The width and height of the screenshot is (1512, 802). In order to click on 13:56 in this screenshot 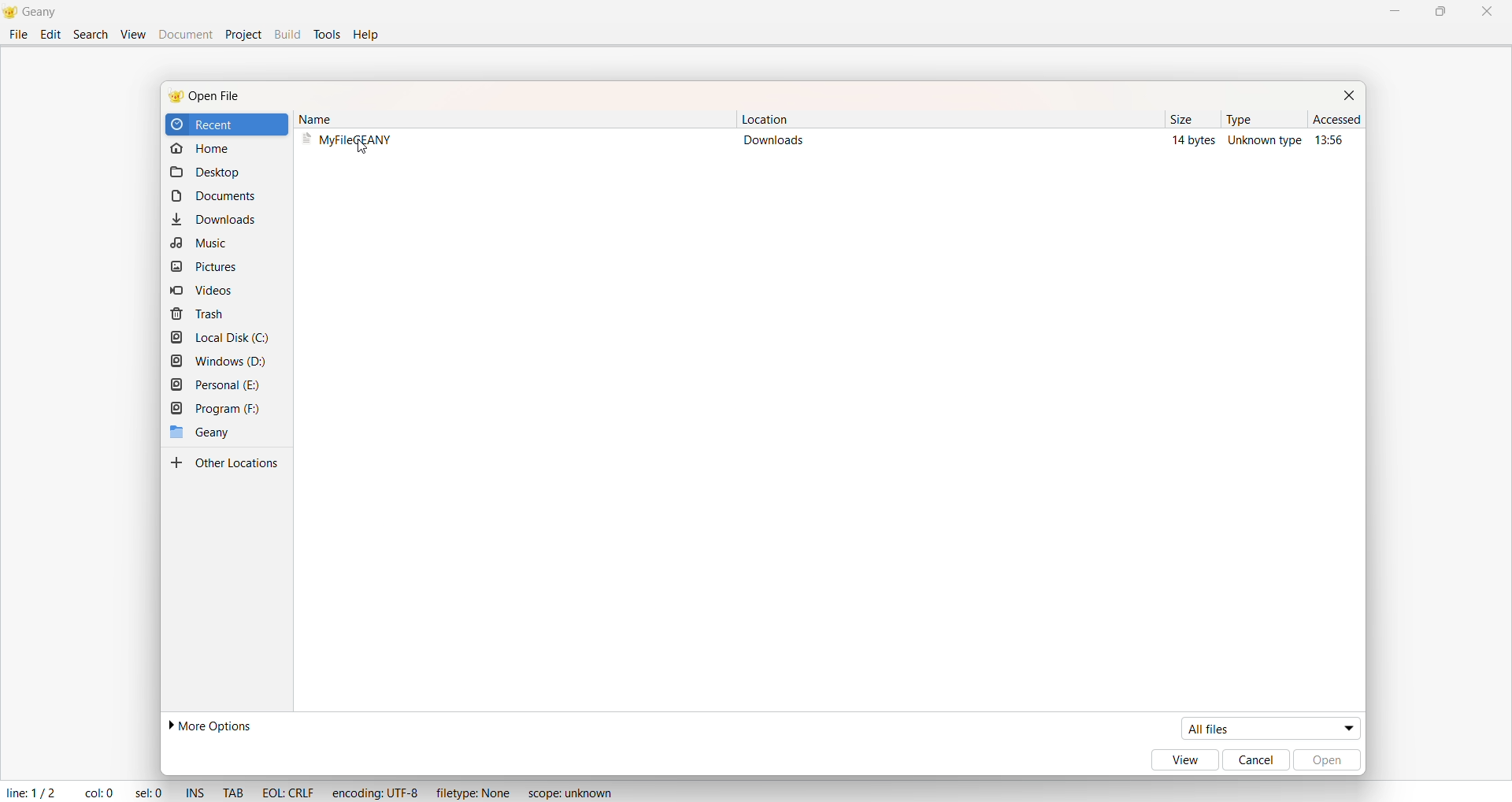, I will do `click(1332, 143)`.